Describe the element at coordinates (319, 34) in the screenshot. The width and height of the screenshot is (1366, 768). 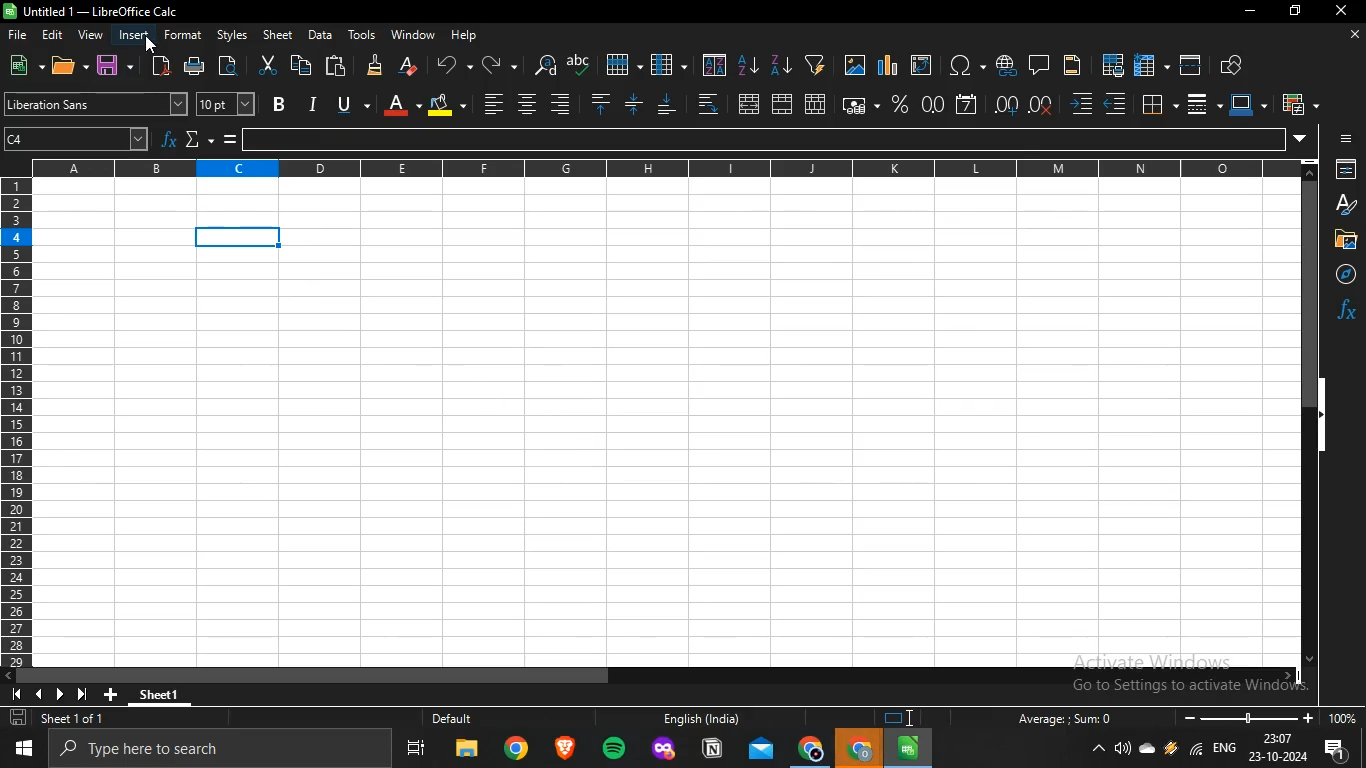
I see `data` at that location.